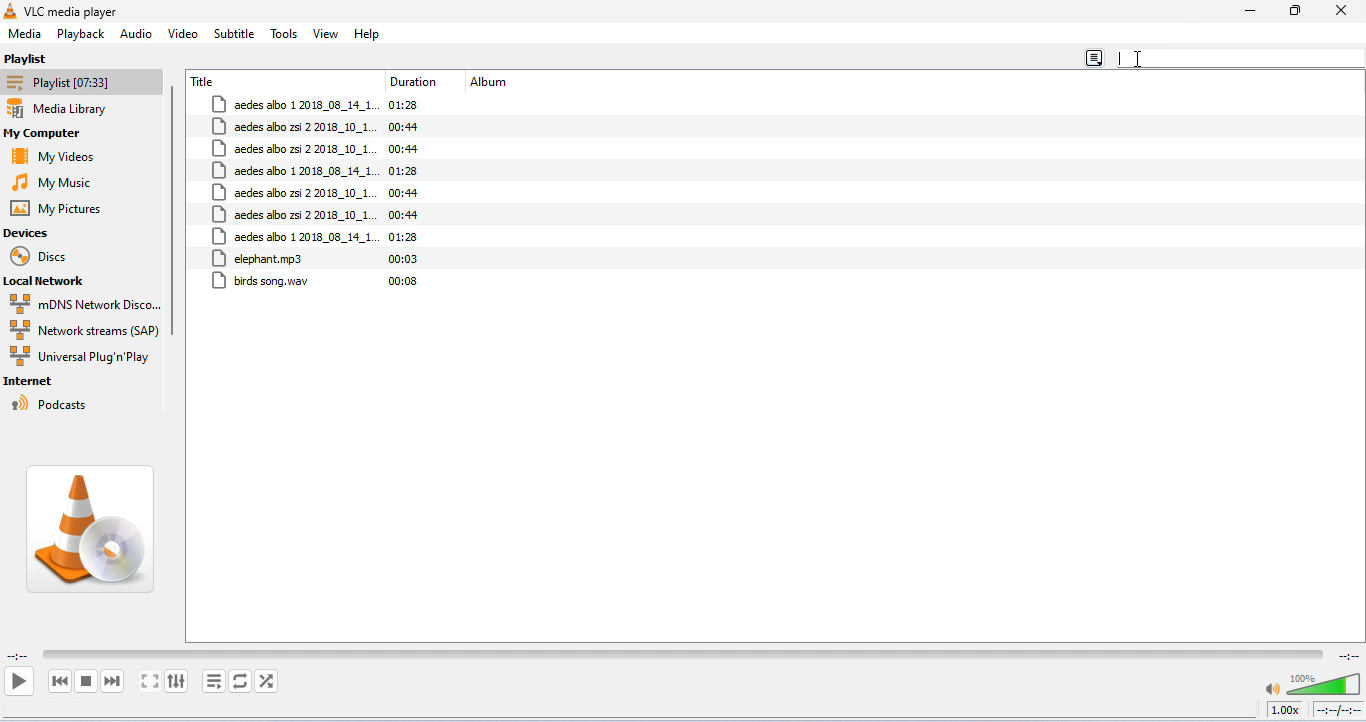 The image size is (1366, 722). What do you see at coordinates (492, 83) in the screenshot?
I see `album` at bounding box center [492, 83].